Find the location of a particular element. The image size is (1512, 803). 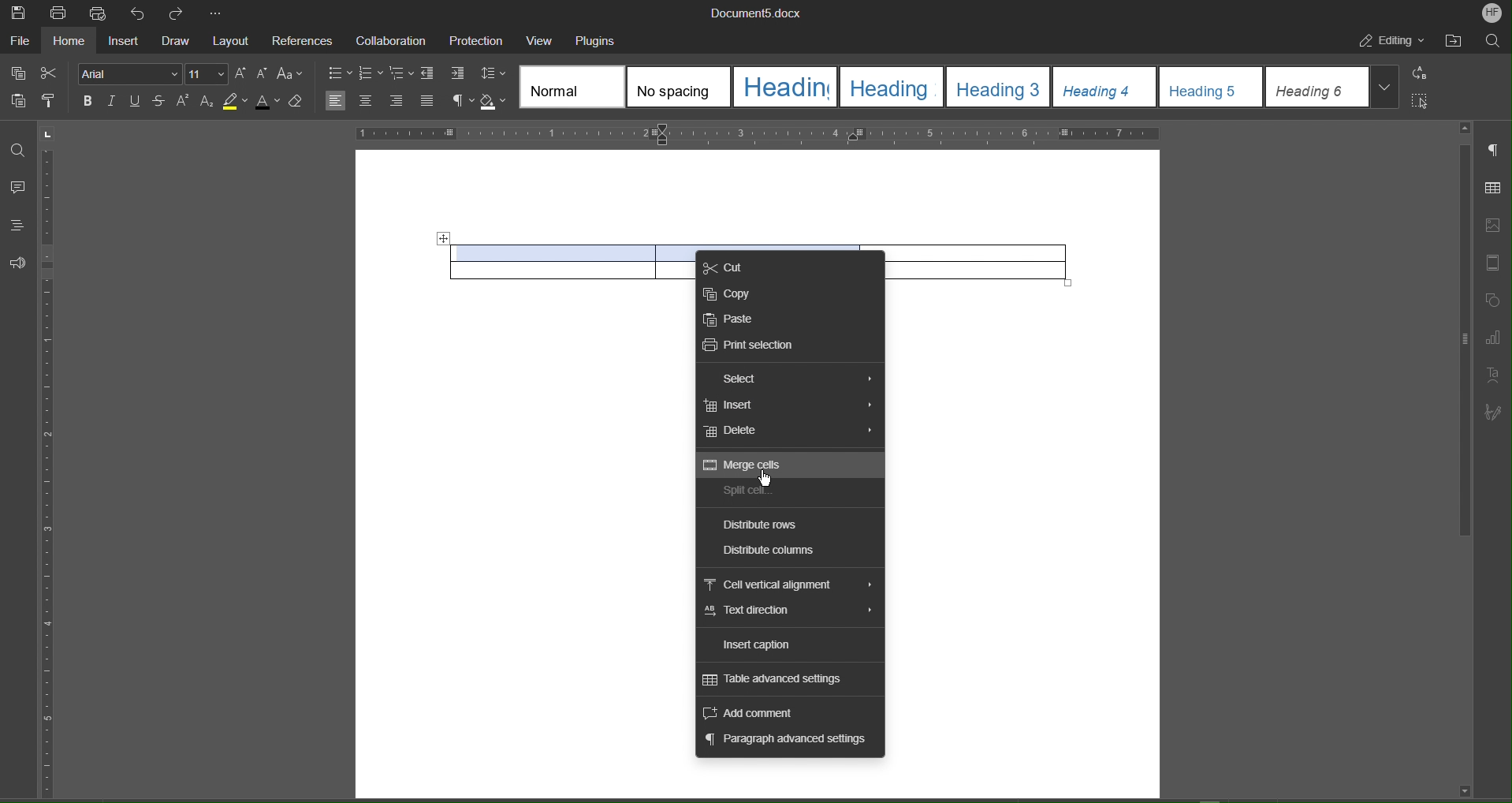

Decrease Size is located at coordinates (262, 74).